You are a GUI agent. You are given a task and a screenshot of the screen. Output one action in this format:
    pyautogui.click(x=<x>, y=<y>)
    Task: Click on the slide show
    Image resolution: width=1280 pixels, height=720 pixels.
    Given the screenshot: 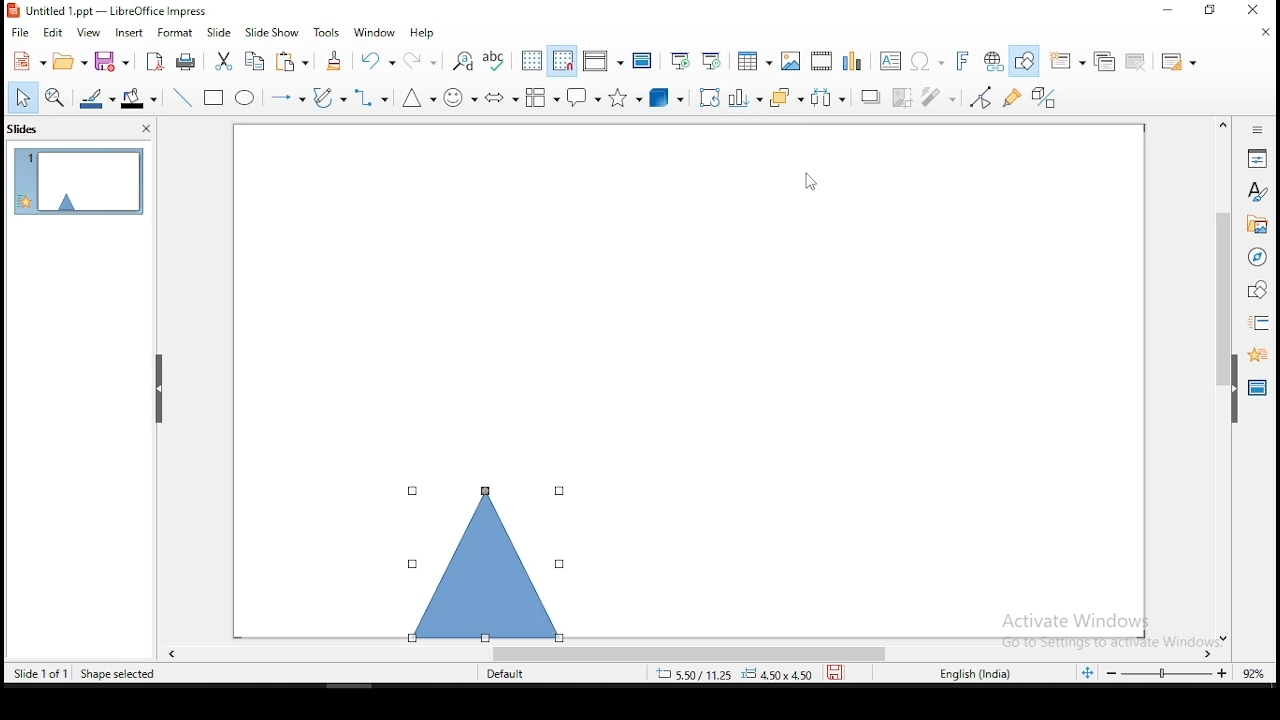 What is the action you would take?
    pyautogui.click(x=272, y=32)
    